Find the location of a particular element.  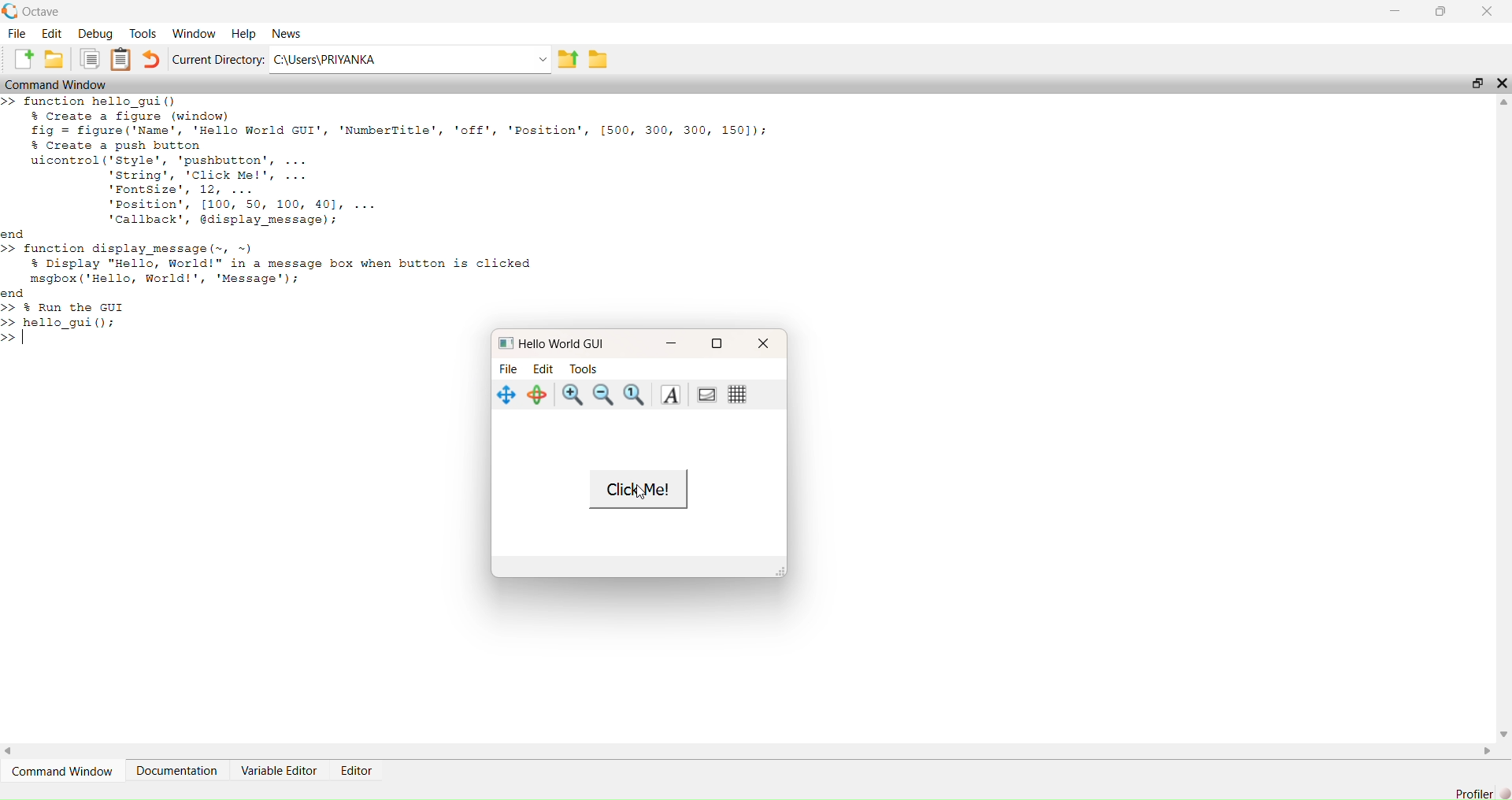

save is located at coordinates (54, 61).